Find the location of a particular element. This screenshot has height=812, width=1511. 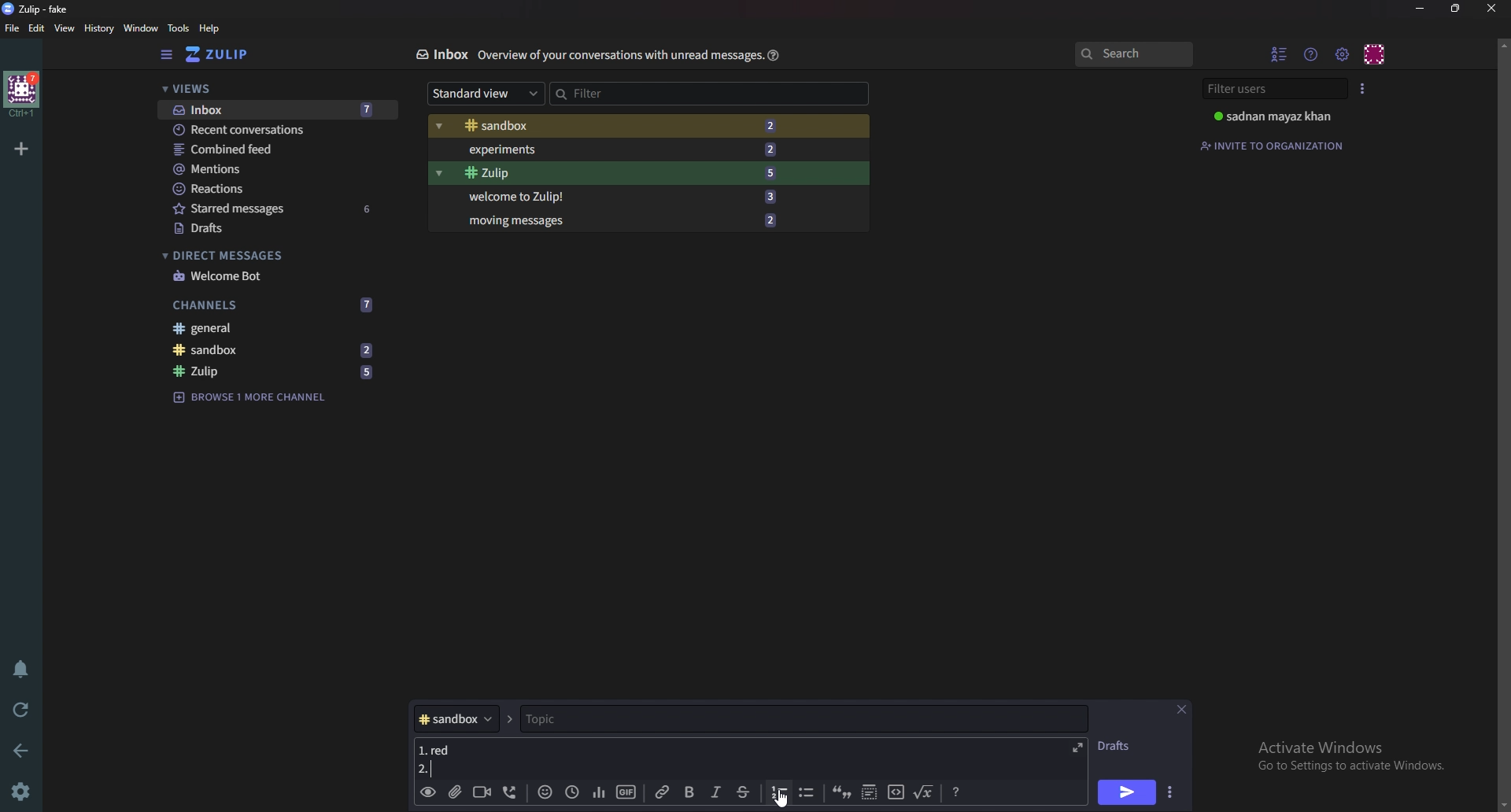

Video call is located at coordinates (480, 792).